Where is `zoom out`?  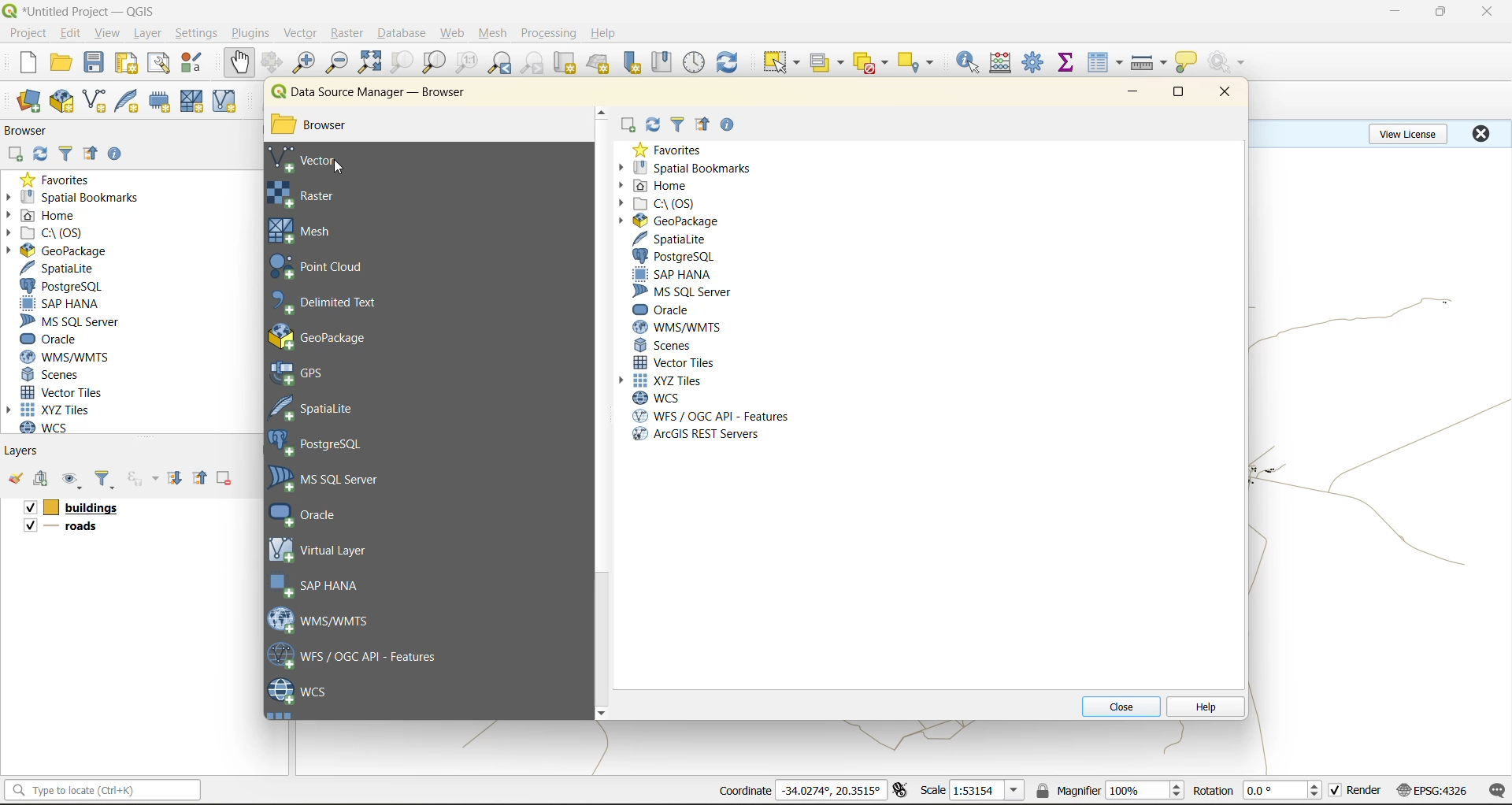
zoom out is located at coordinates (338, 61).